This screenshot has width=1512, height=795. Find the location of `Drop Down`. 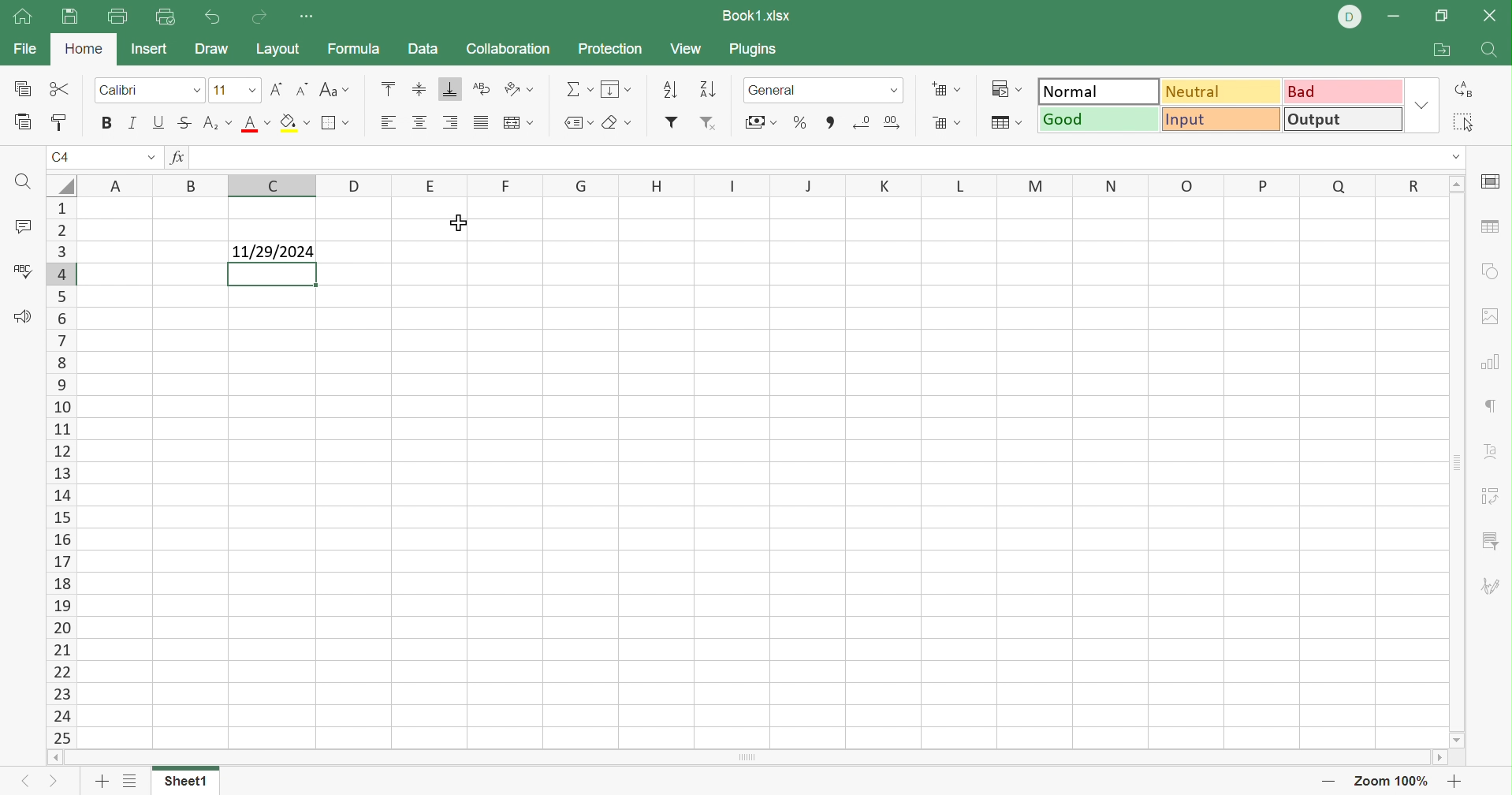

Drop Down is located at coordinates (1419, 104).